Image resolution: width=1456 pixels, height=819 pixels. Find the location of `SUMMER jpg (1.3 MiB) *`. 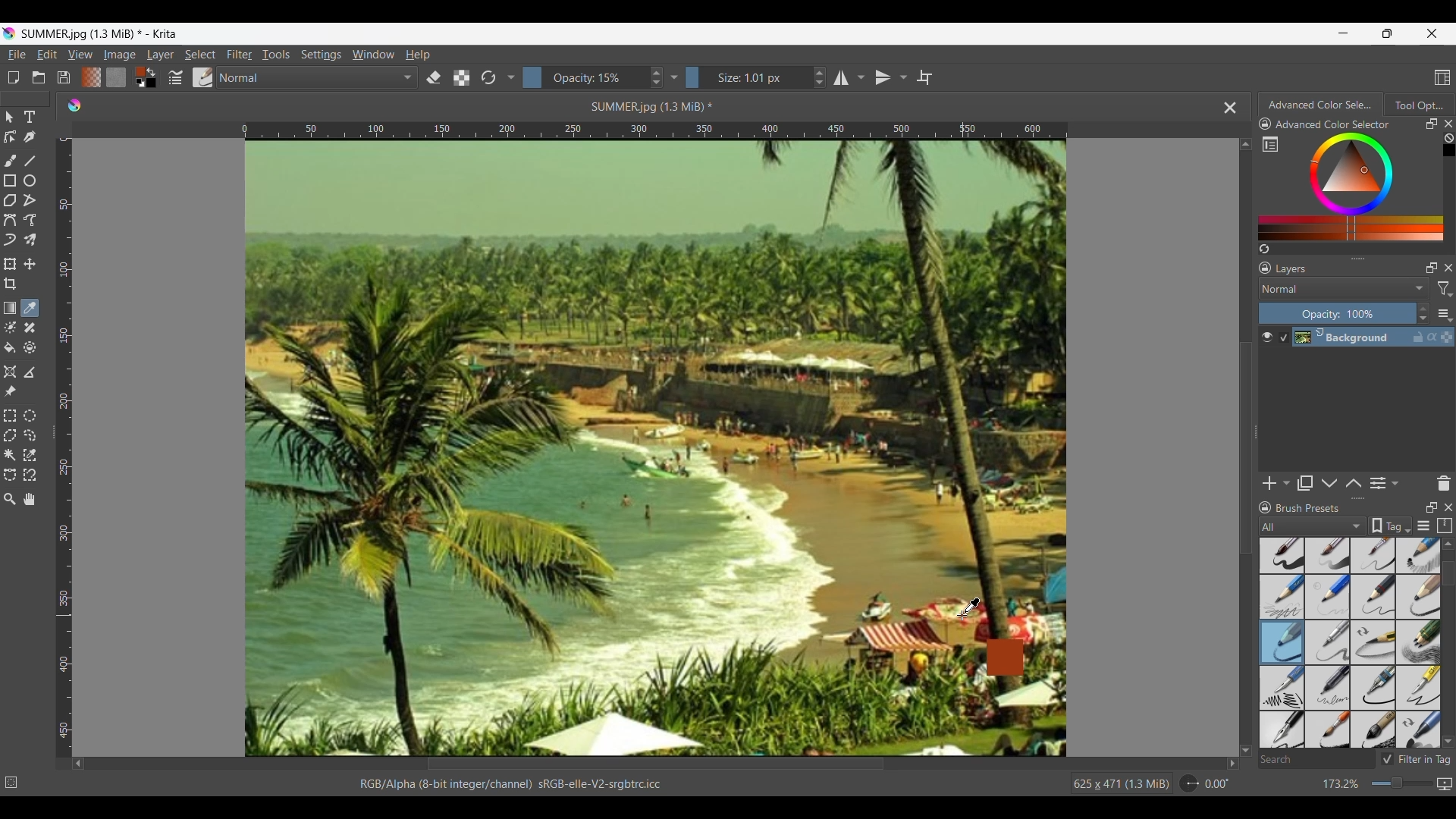

SUMMER jpg (1.3 MiB) * is located at coordinates (654, 106).